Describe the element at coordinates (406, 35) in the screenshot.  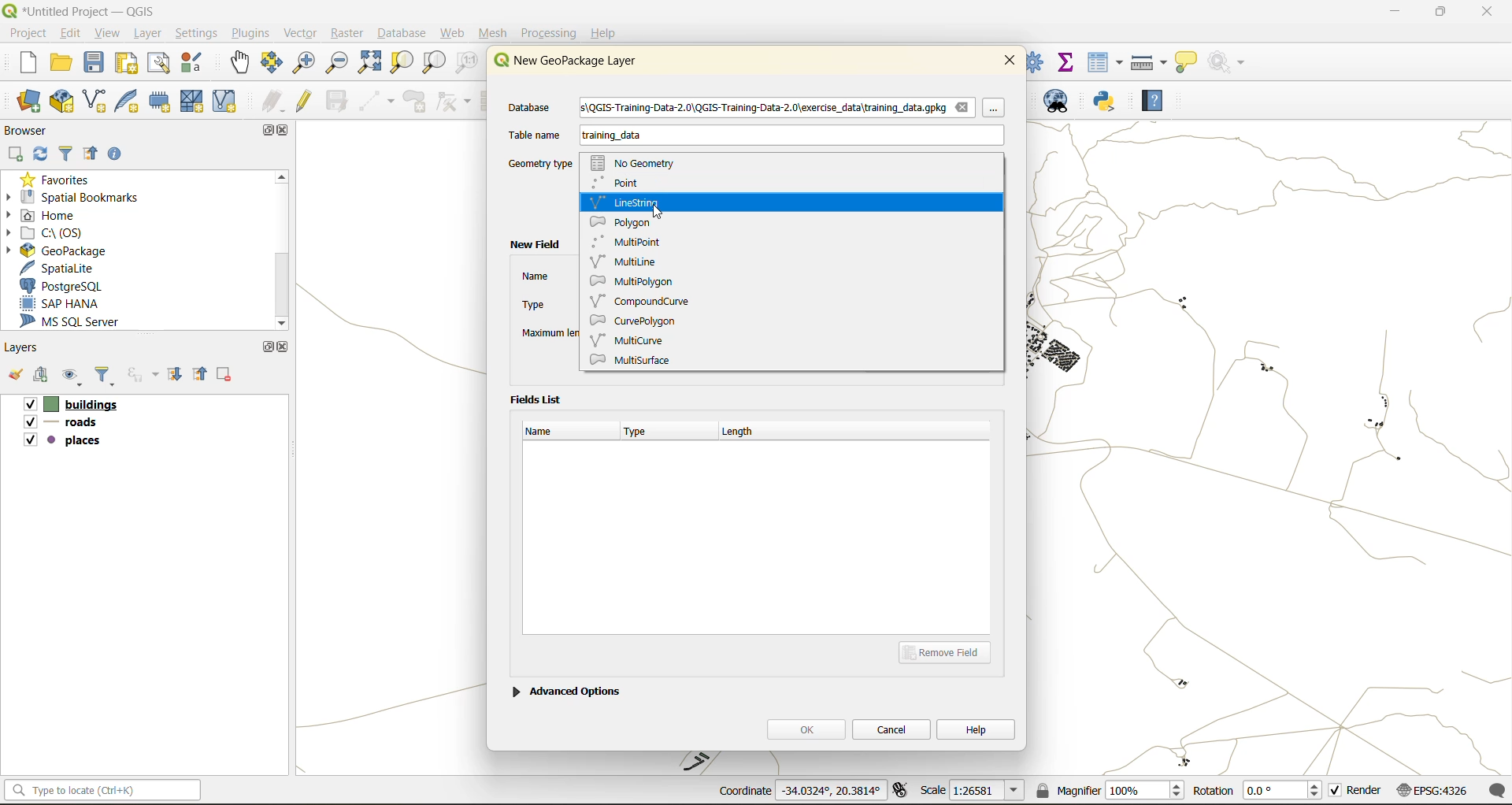
I see `database` at that location.